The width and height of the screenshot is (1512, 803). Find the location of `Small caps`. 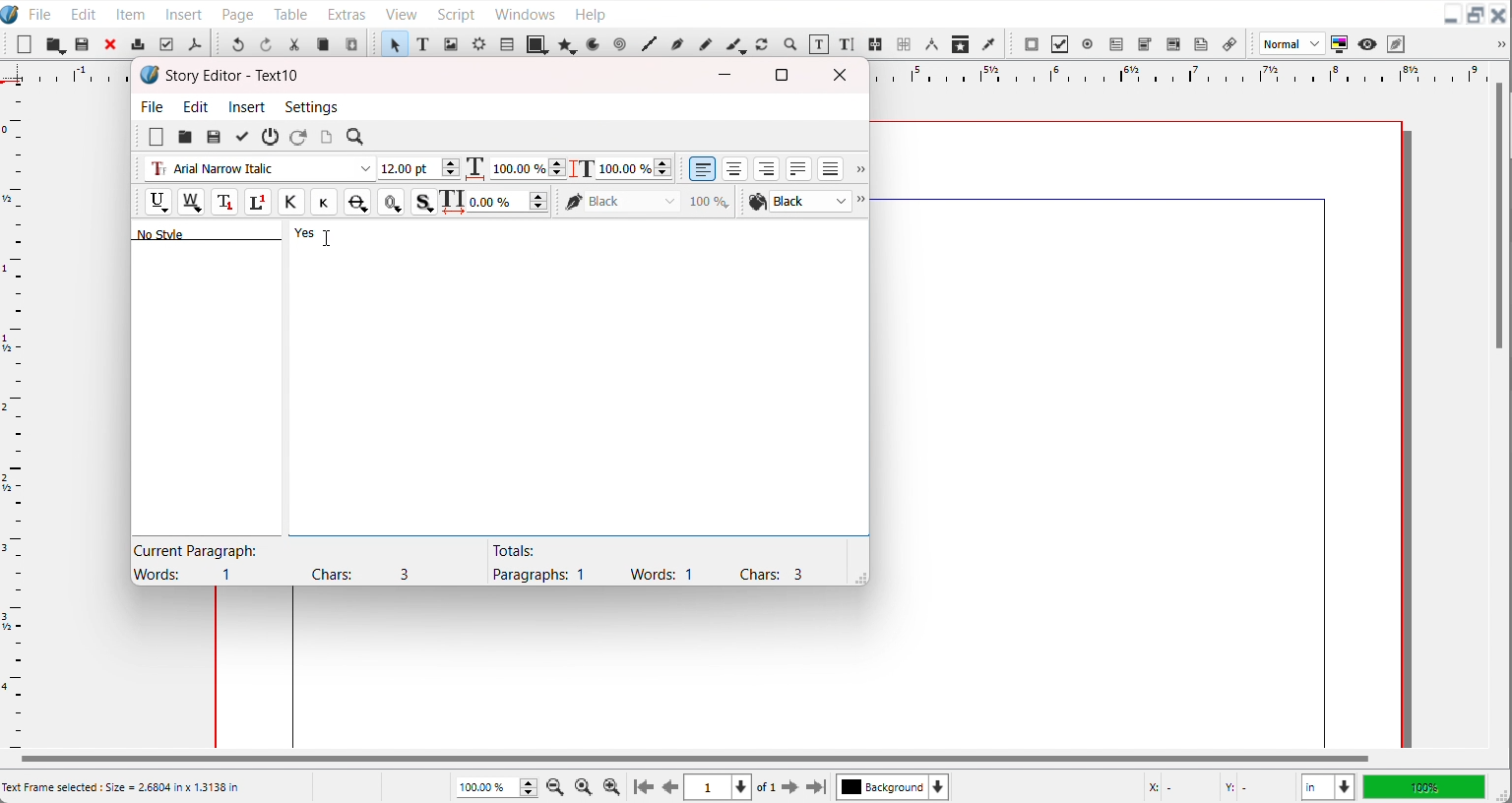

Small caps is located at coordinates (323, 201).